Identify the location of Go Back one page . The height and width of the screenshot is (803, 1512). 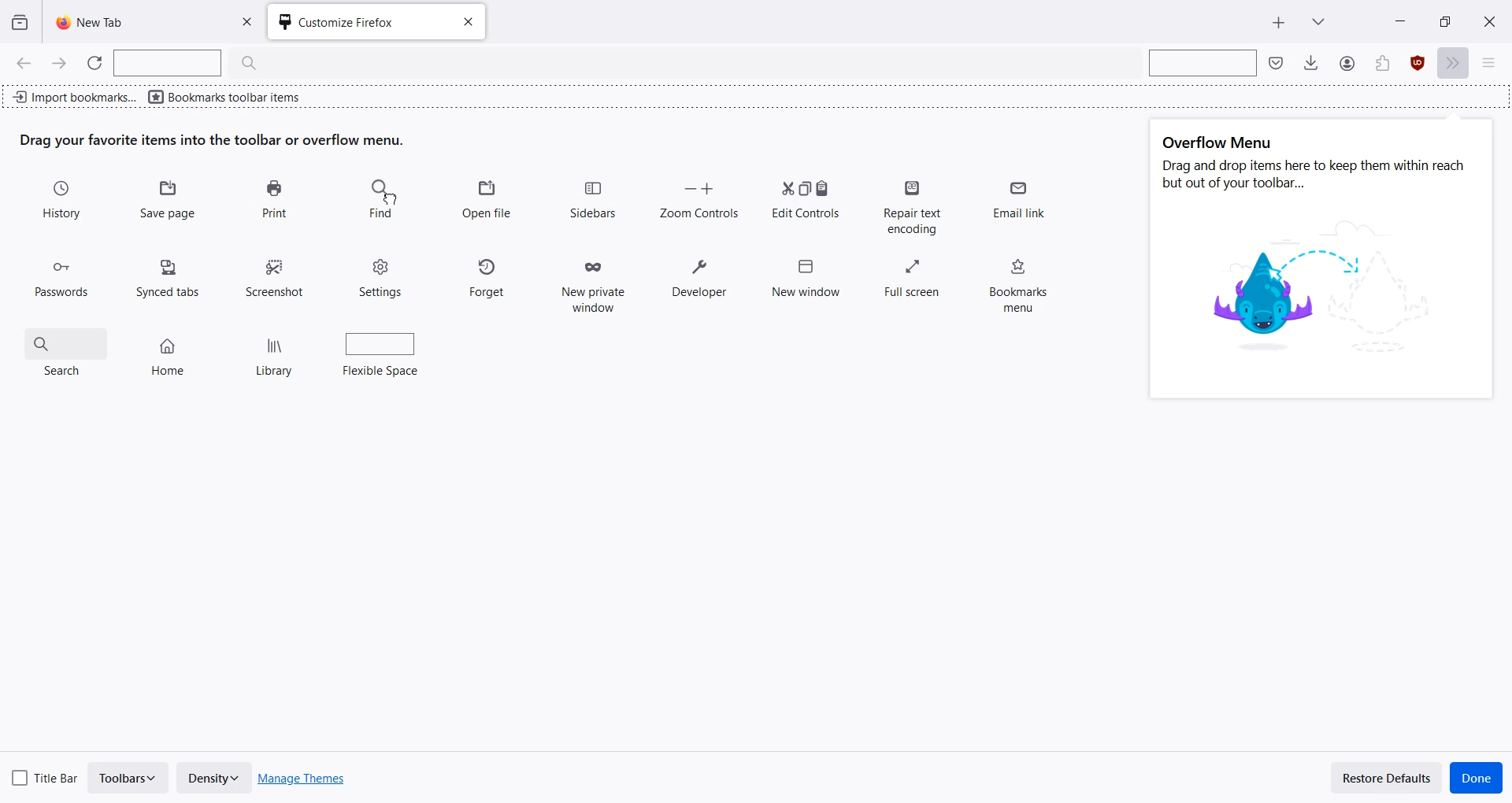
(22, 62).